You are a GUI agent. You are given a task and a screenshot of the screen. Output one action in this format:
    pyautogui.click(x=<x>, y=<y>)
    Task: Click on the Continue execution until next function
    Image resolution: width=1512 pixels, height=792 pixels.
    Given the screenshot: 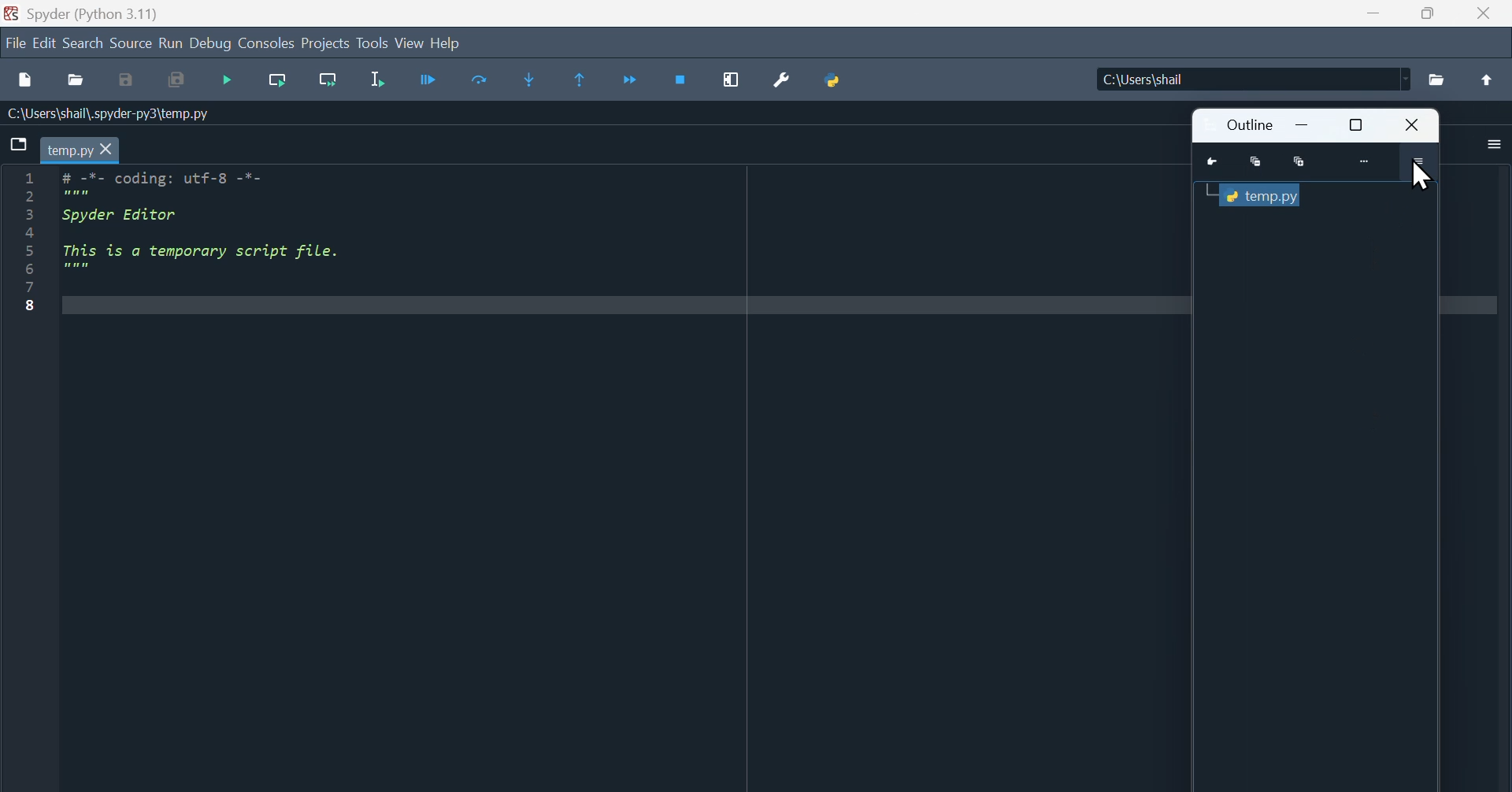 What is the action you would take?
    pyautogui.click(x=629, y=80)
    